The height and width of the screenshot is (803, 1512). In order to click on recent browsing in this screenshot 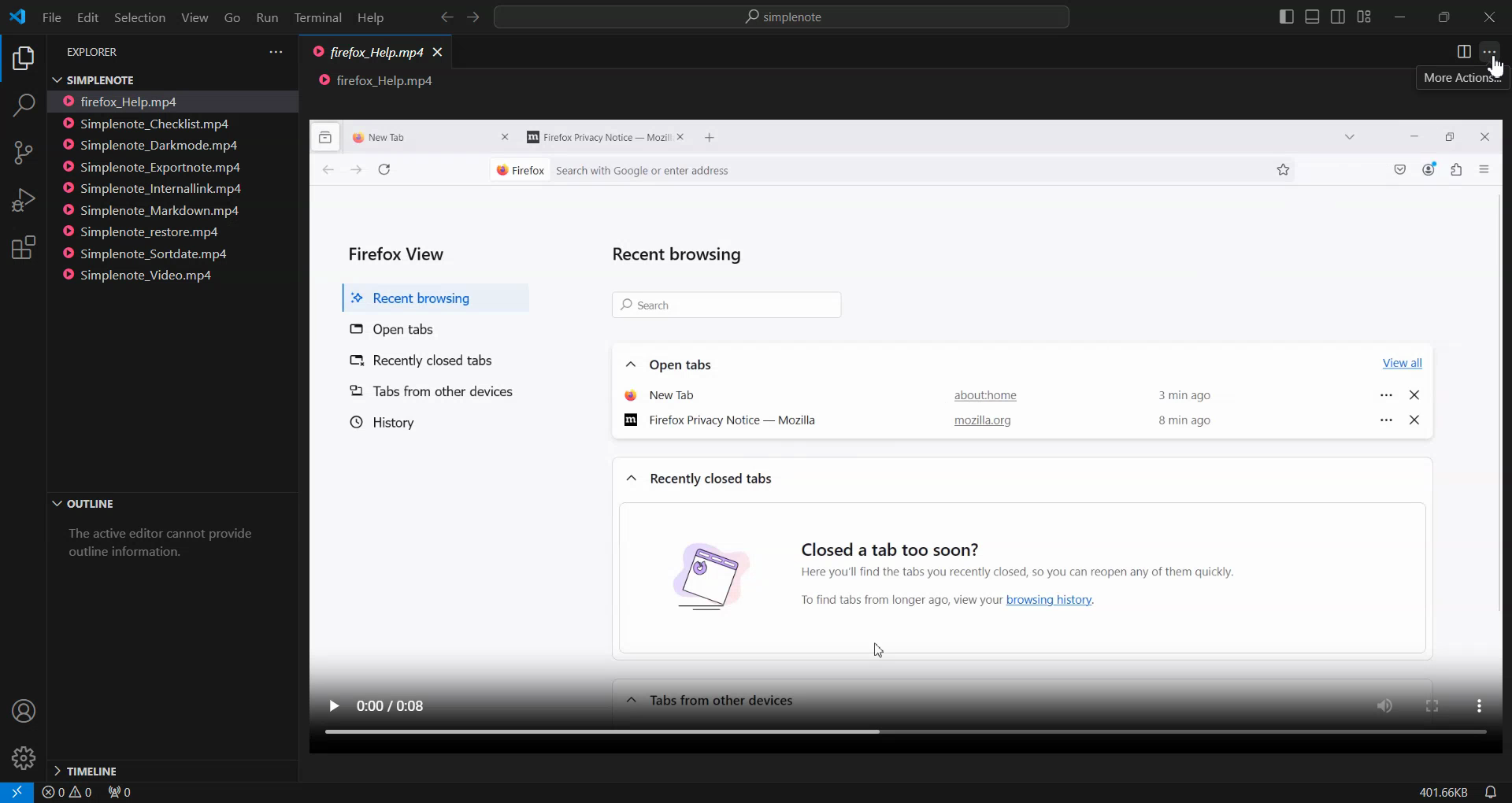, I will do `click(430, 294)`.